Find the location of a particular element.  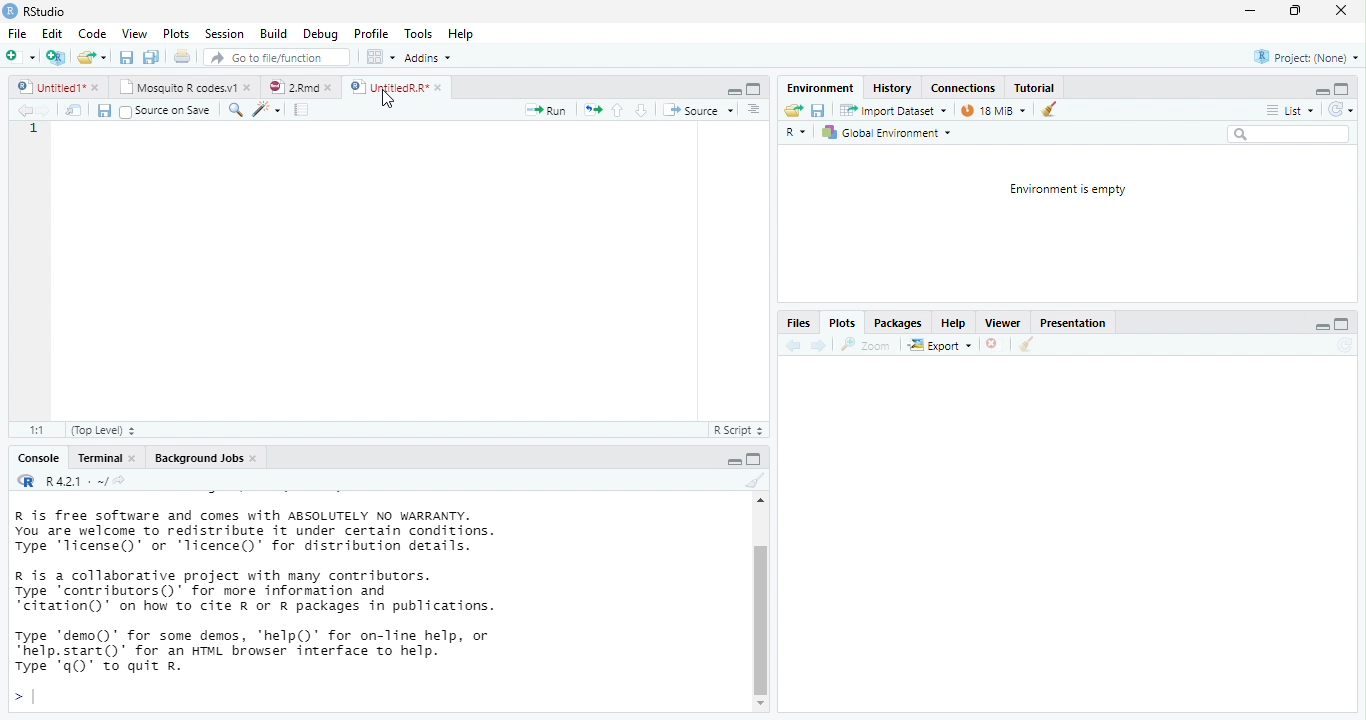

Run is located at coordinates (547, 111).